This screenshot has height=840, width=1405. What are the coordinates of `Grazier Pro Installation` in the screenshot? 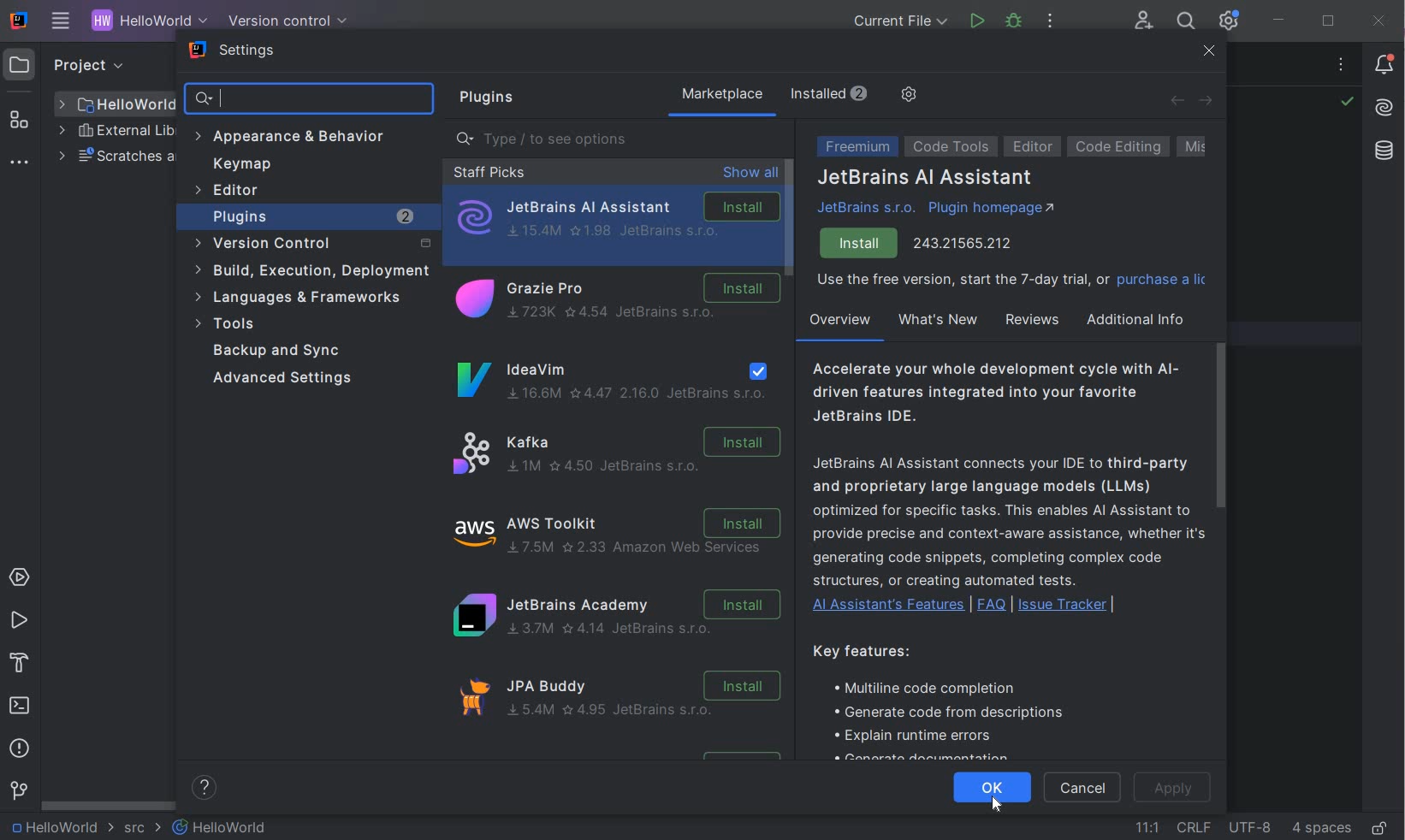 It's located at (614, 301).